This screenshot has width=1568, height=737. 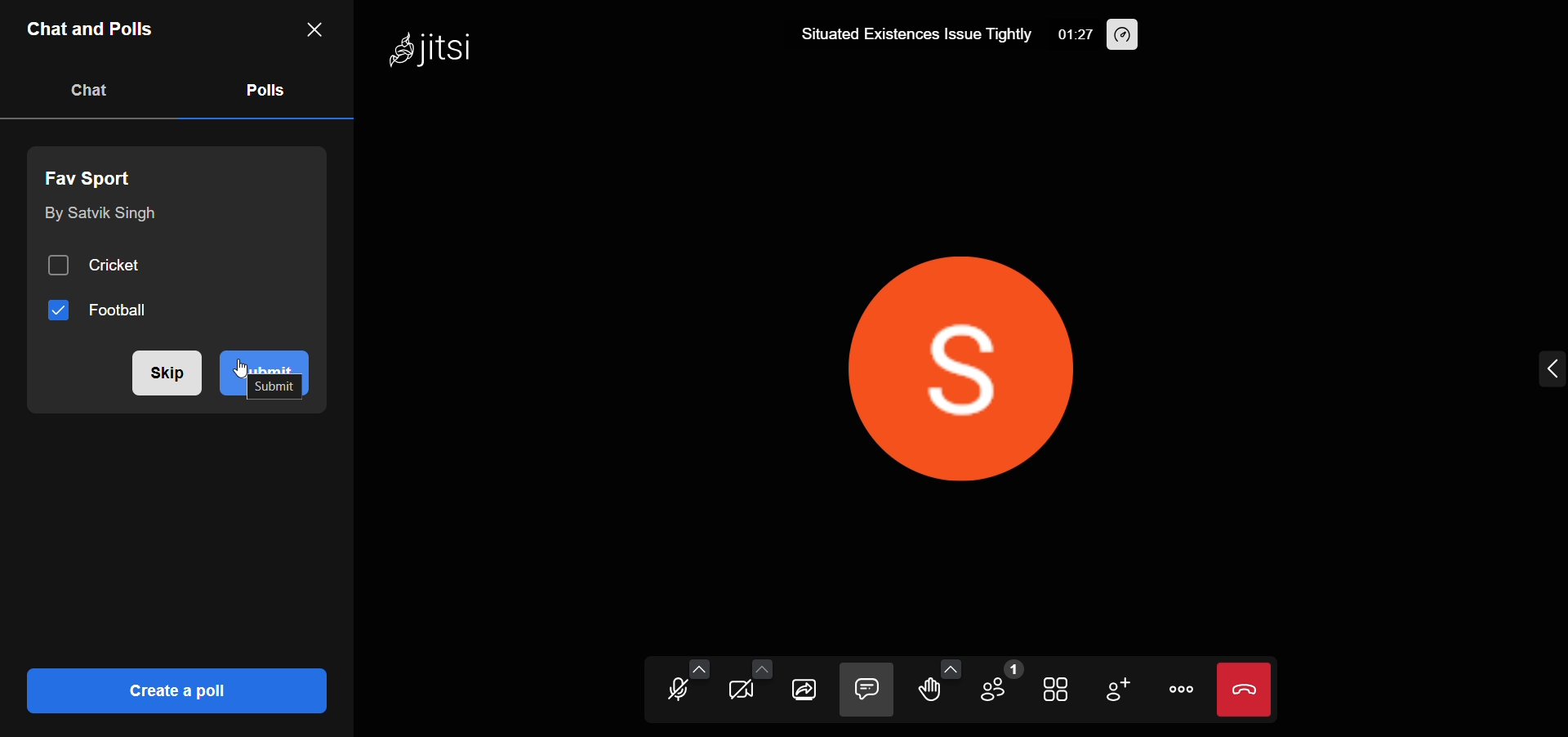 I want to click on chats and polls, so click(x=93, y=29).